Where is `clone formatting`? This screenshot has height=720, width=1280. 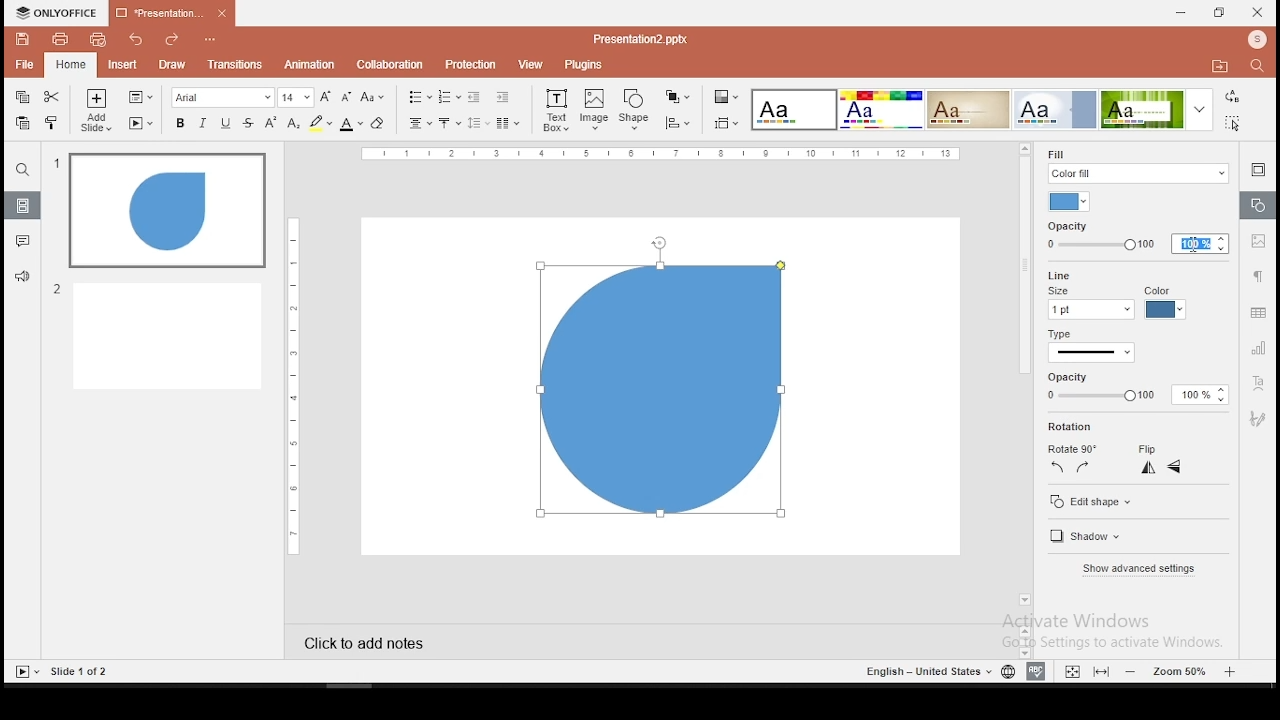
clone formatting is located at coordinates (52, 121).